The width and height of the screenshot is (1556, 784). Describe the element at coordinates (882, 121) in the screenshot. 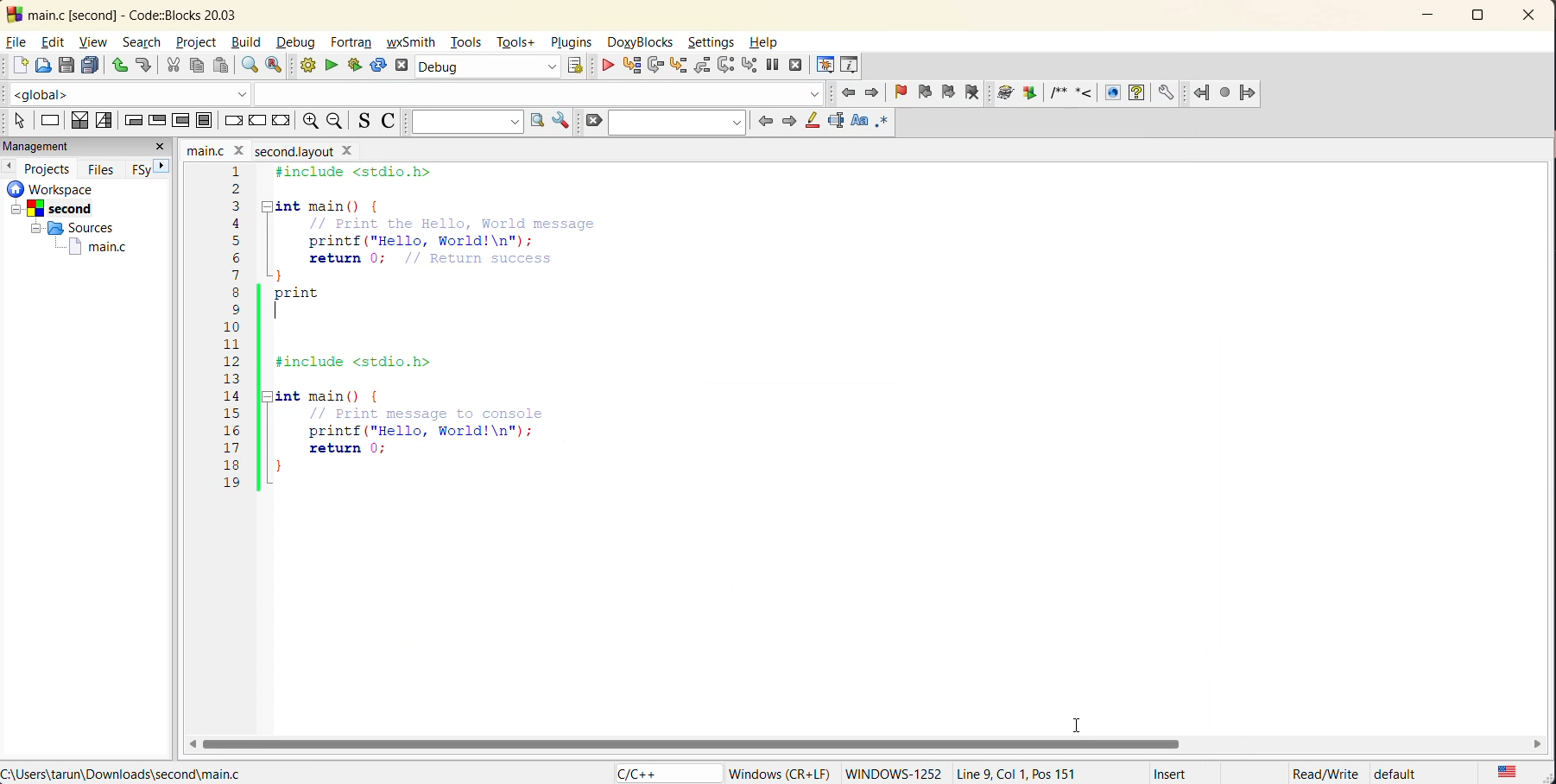

I see `use regex` at that location.